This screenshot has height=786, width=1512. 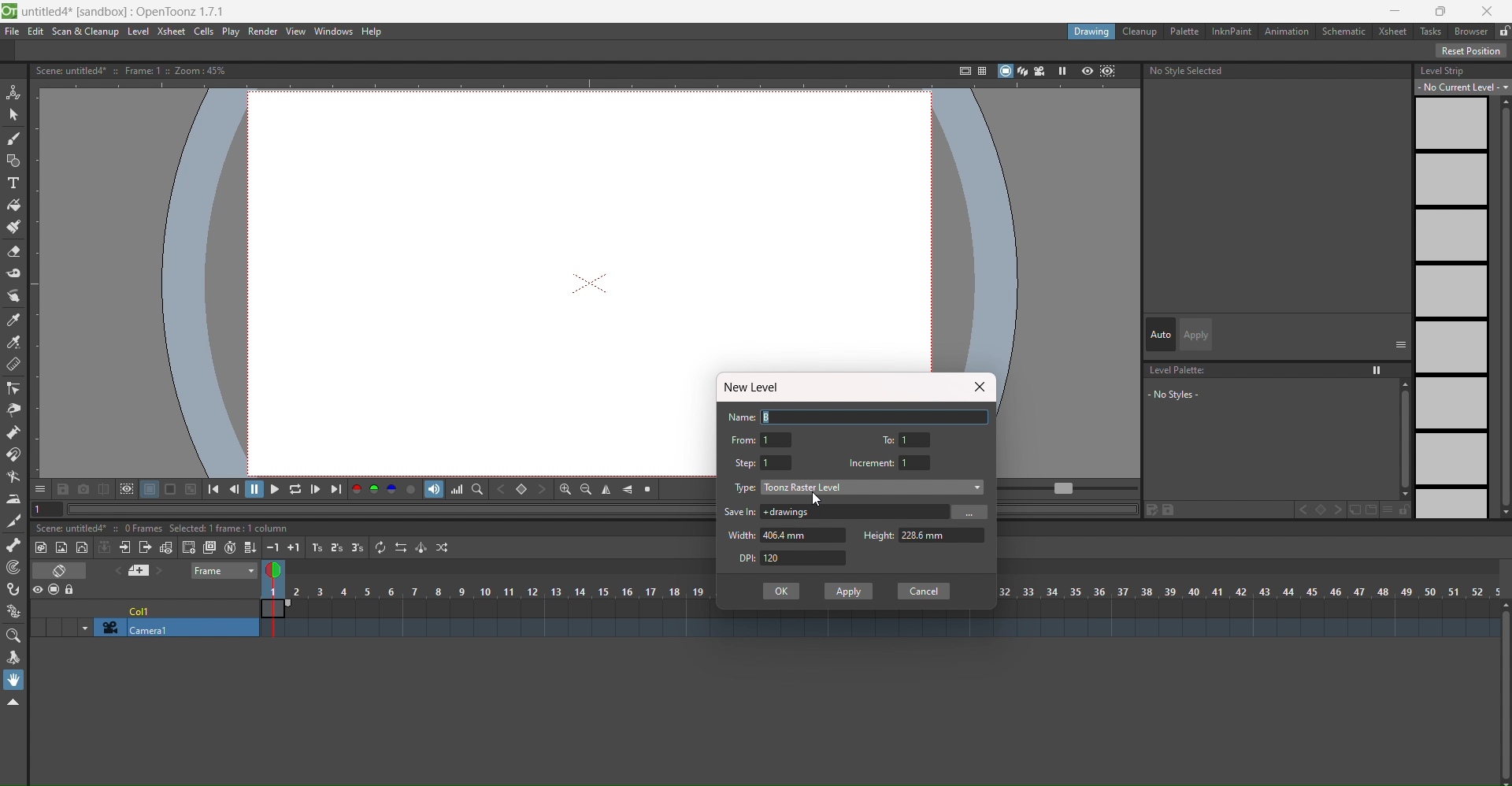 What do you see at coordinates (421, 547) in the screenshot?
I see `swing` at bounding box center [421, 547].